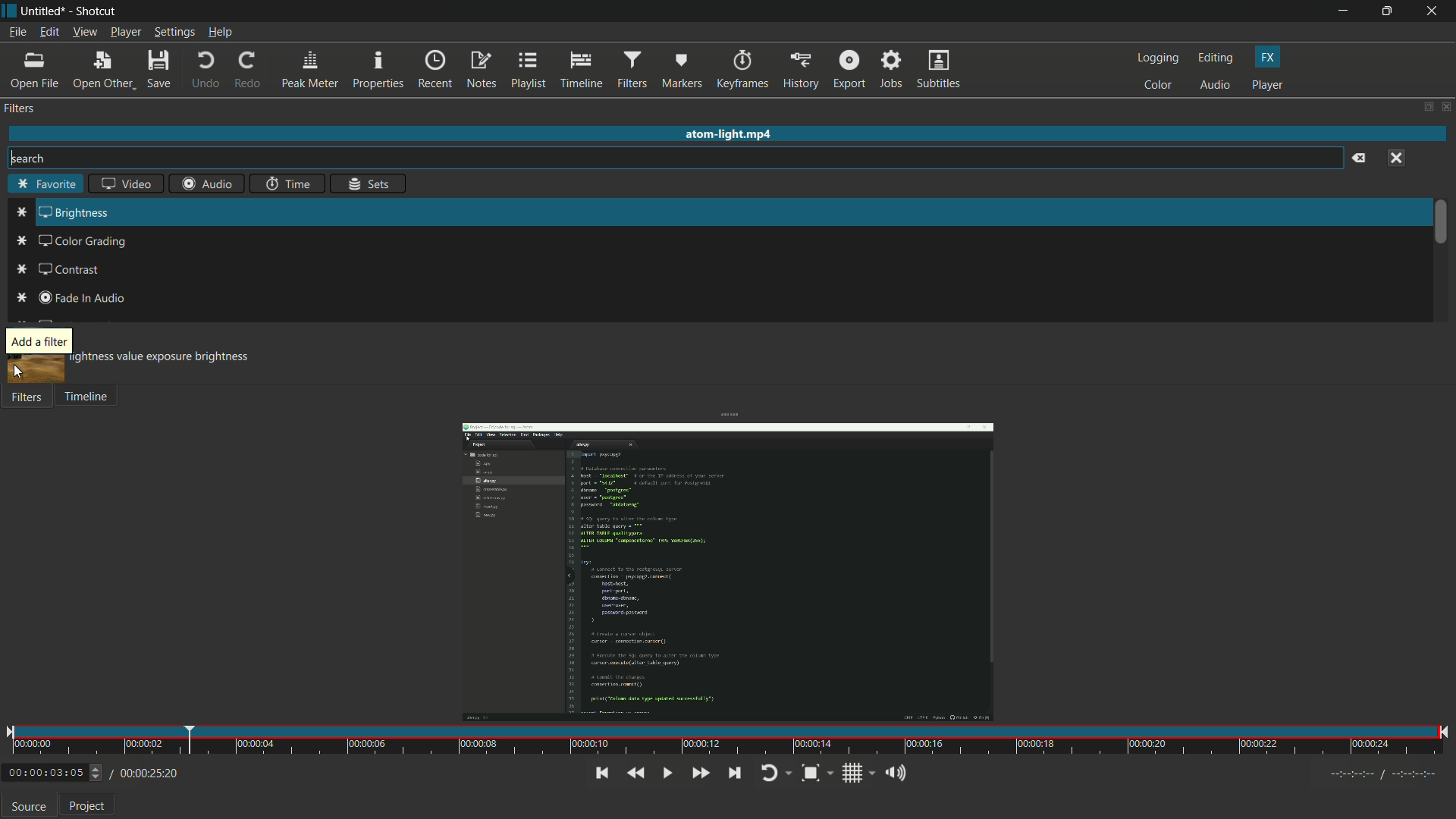  I want to click on properties, so click(378, 70).